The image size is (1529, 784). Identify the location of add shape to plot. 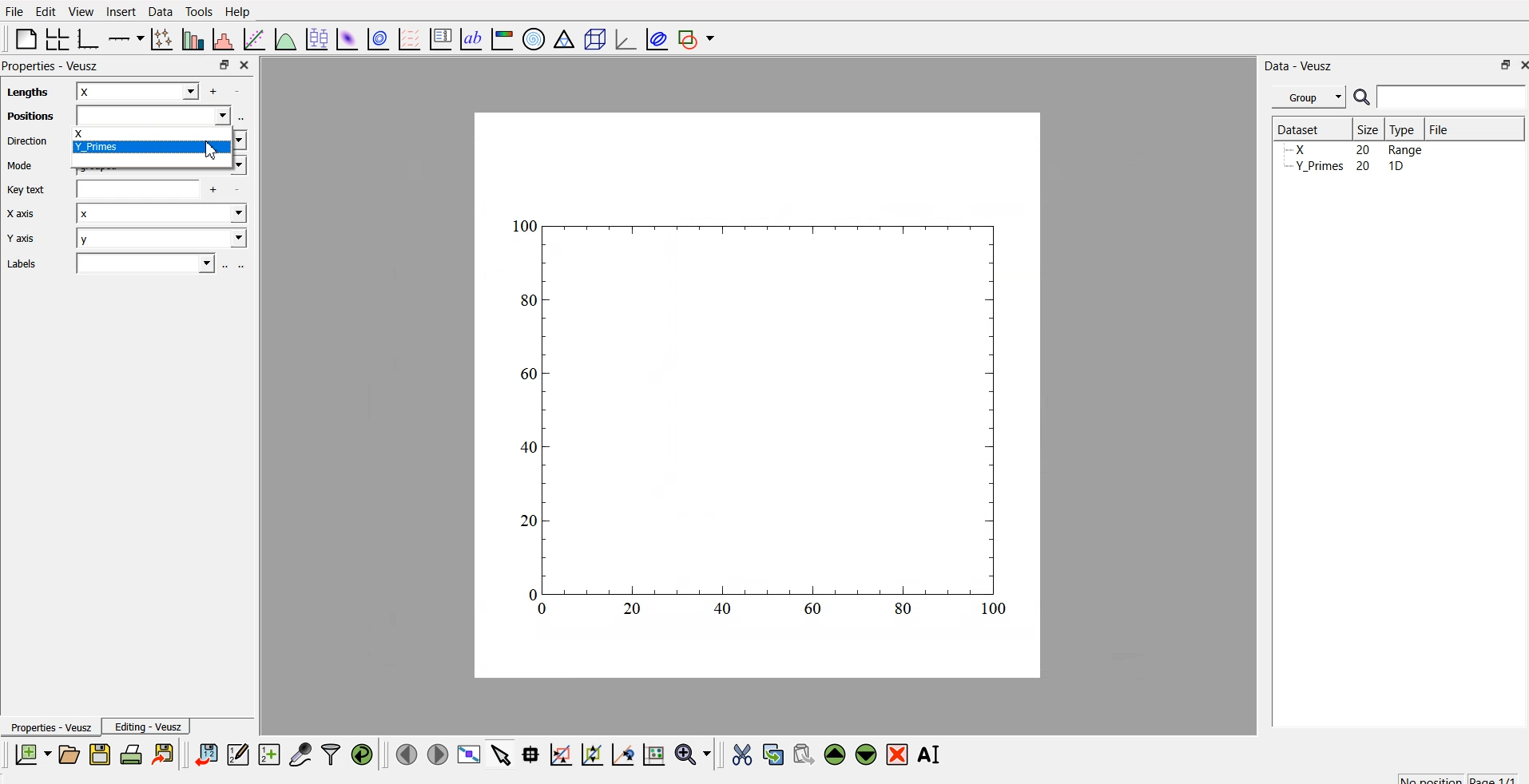
(701, 37).